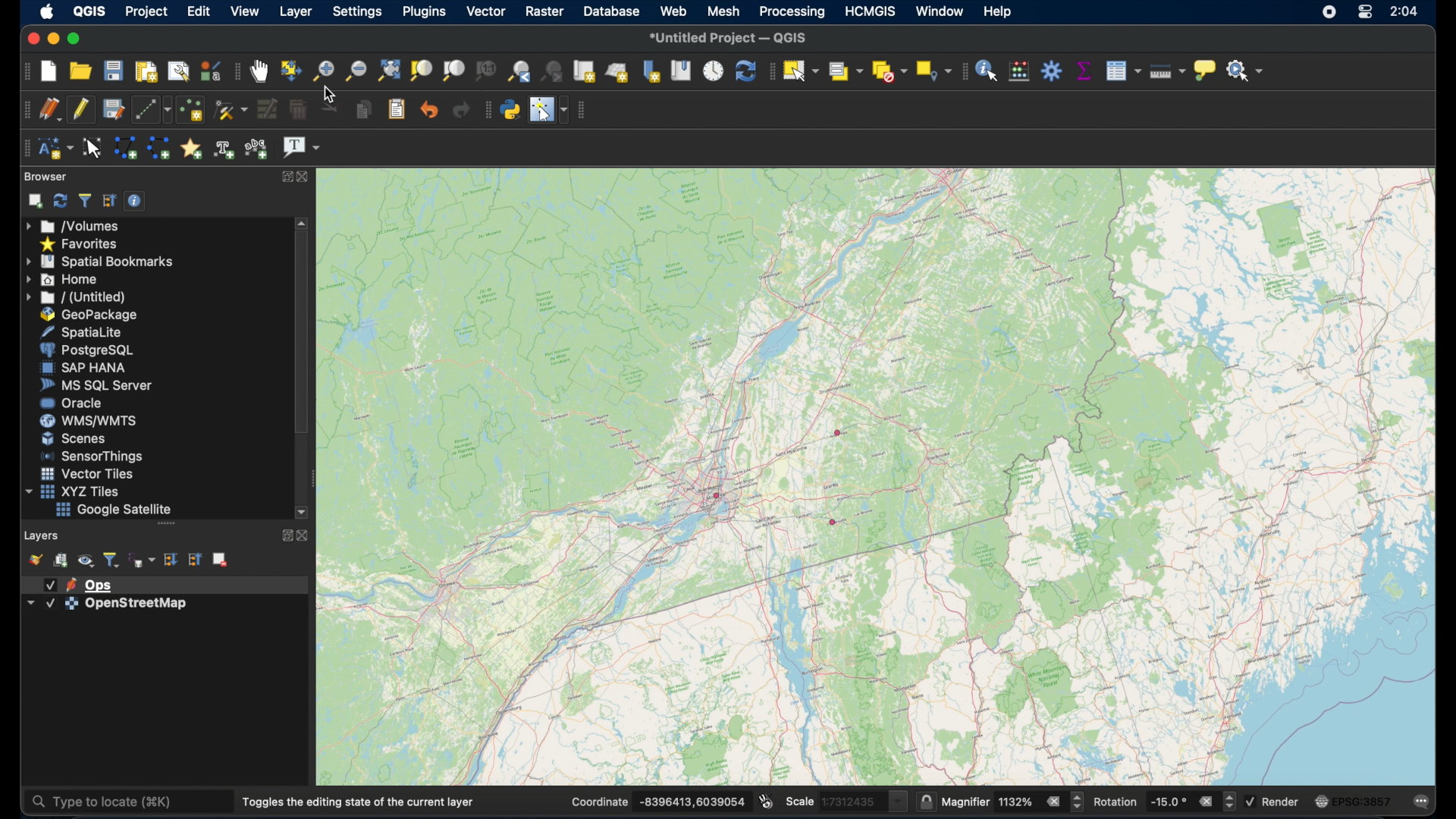  I want to click on open street map, so click(836, 478).